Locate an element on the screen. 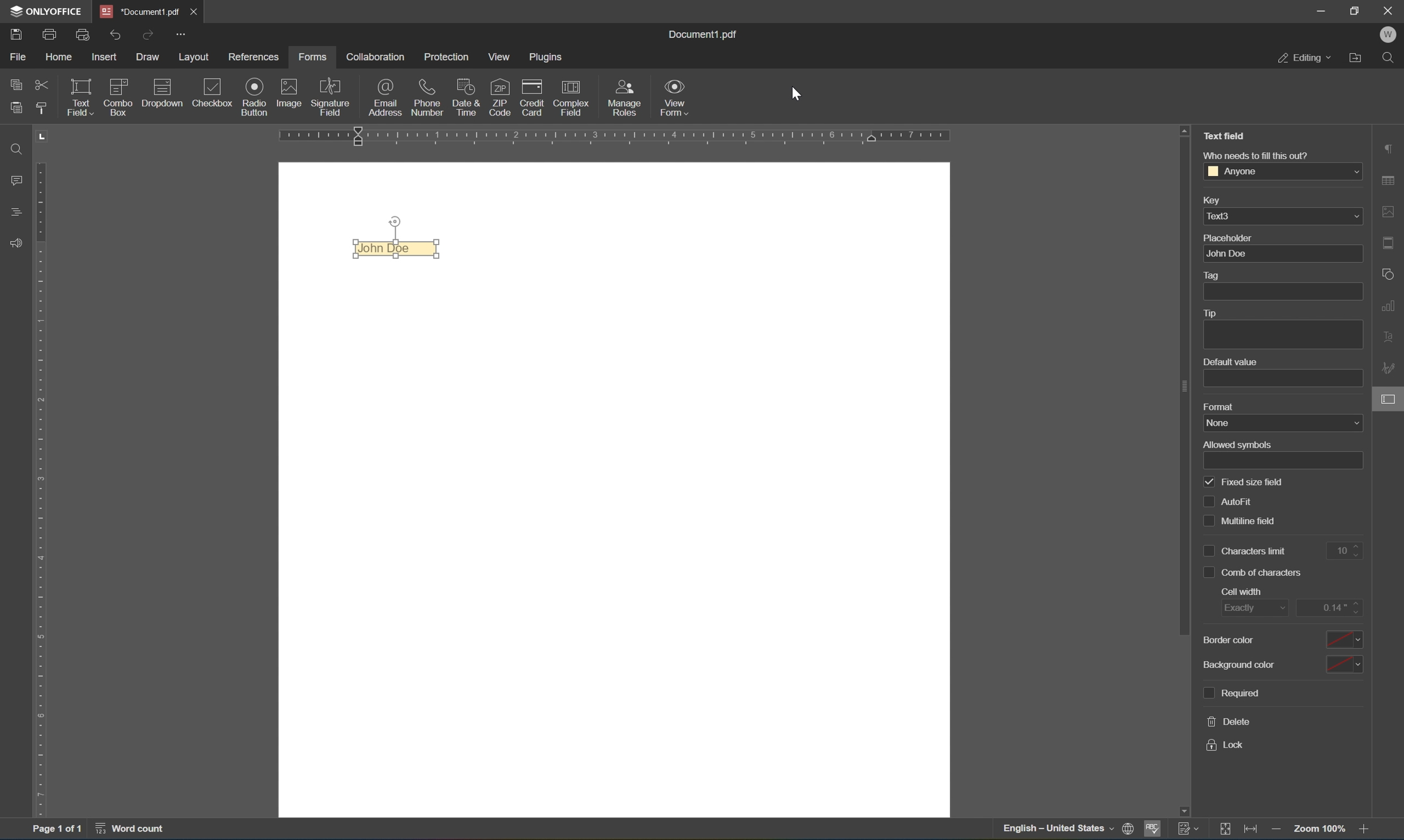  form settings is located at coordinates (1392, 397).